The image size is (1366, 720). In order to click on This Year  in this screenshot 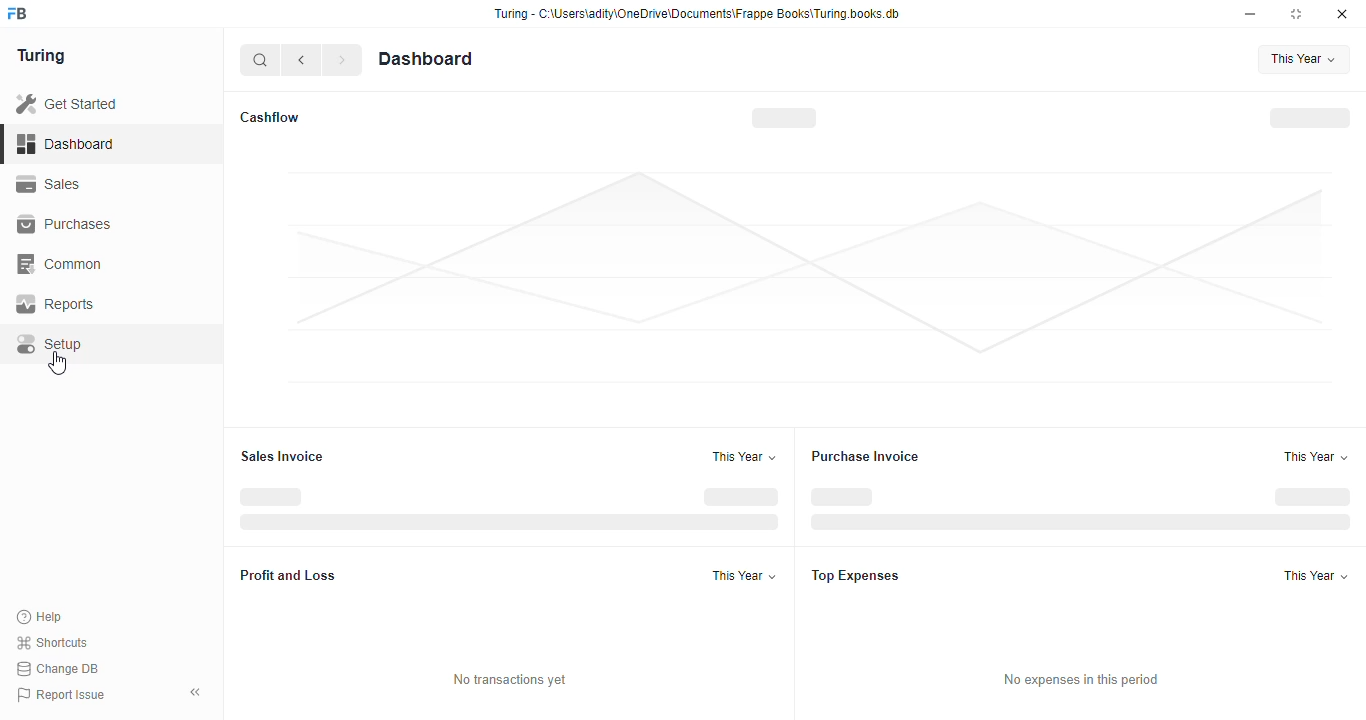, I will do `click(1313, 458)`.